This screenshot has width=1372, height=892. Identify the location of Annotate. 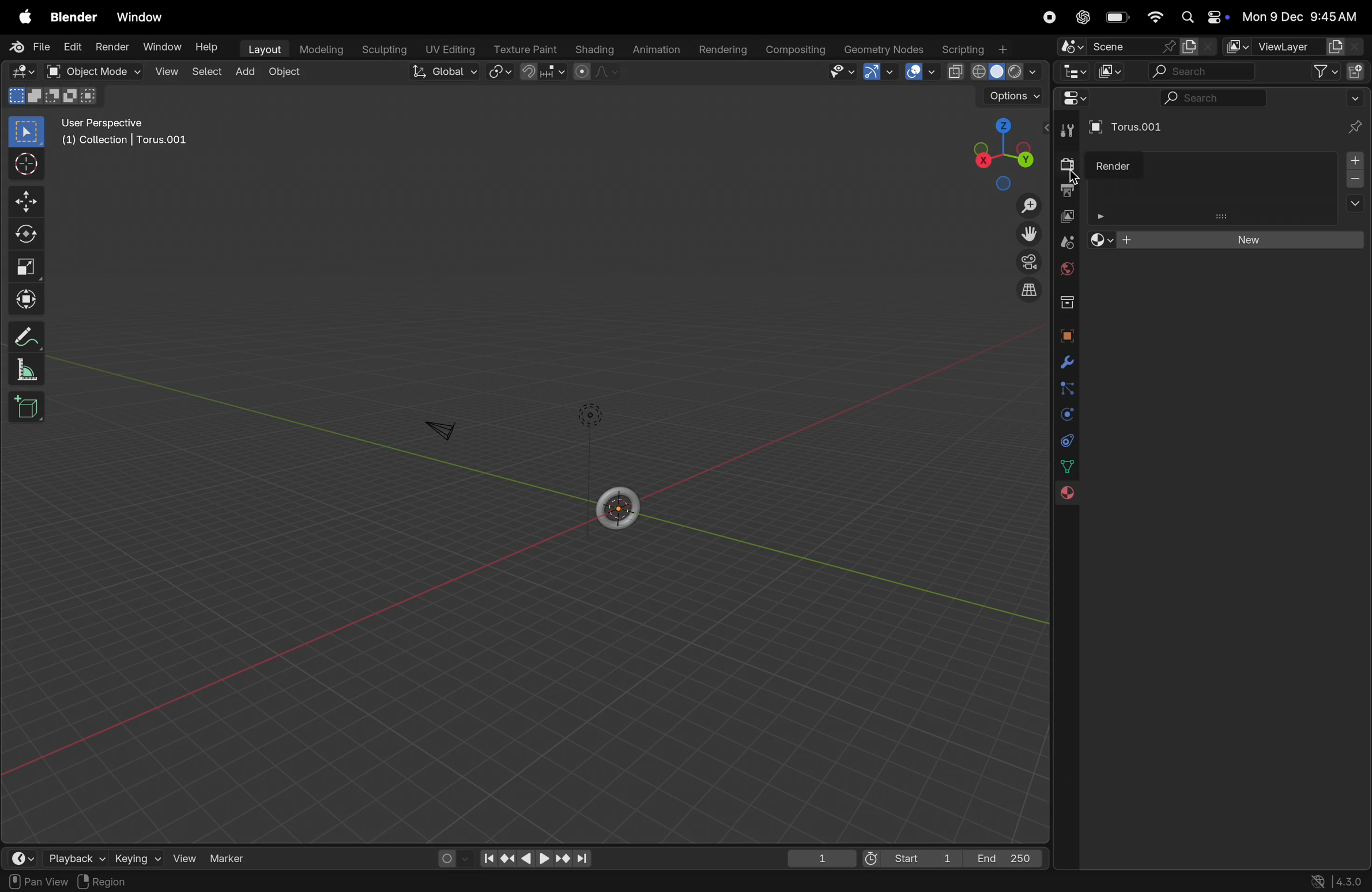
(28, 336).